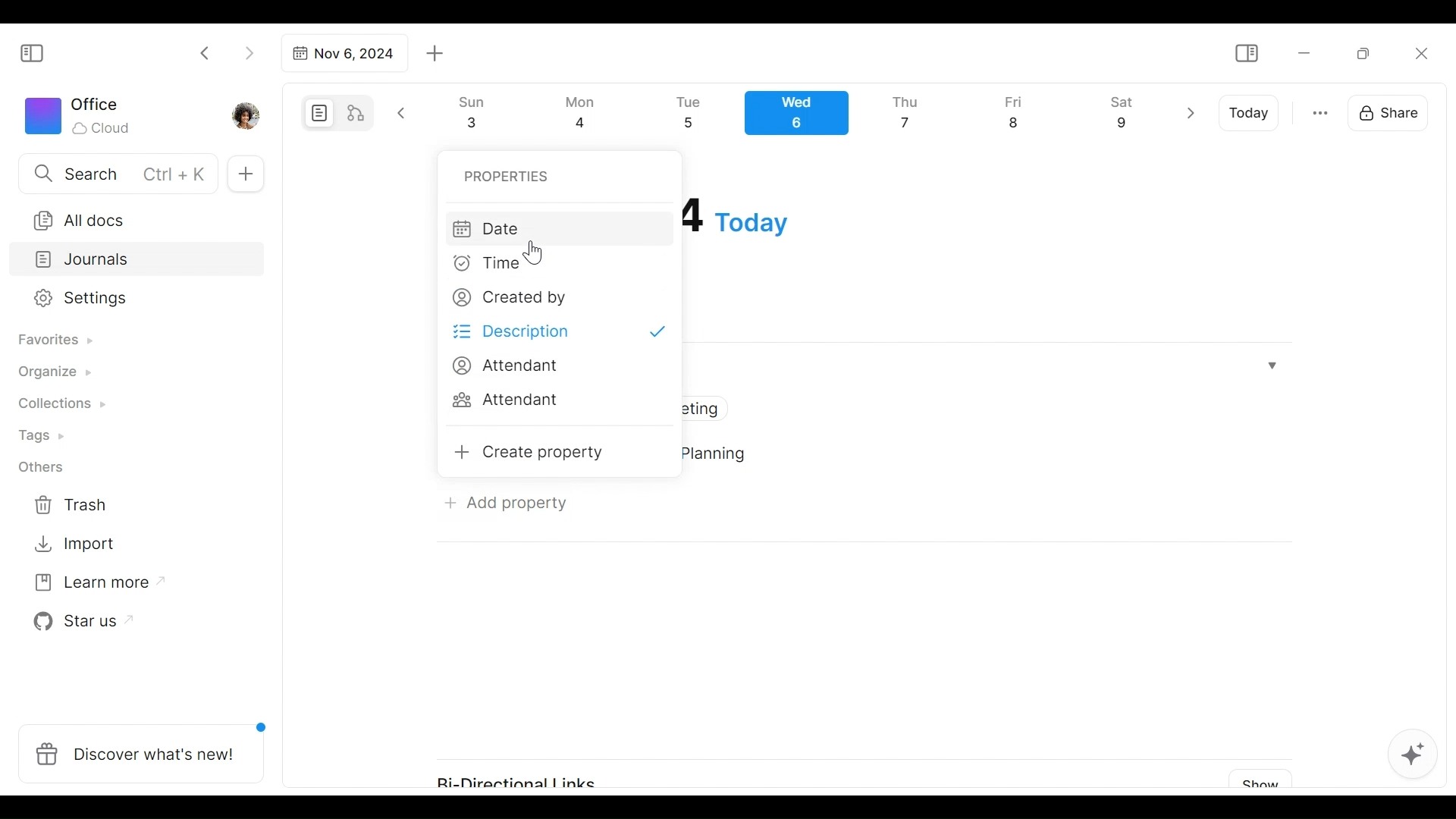  Describe the element at coordinates (506, 502) in the screenshot. I see `Add Property` at that location.